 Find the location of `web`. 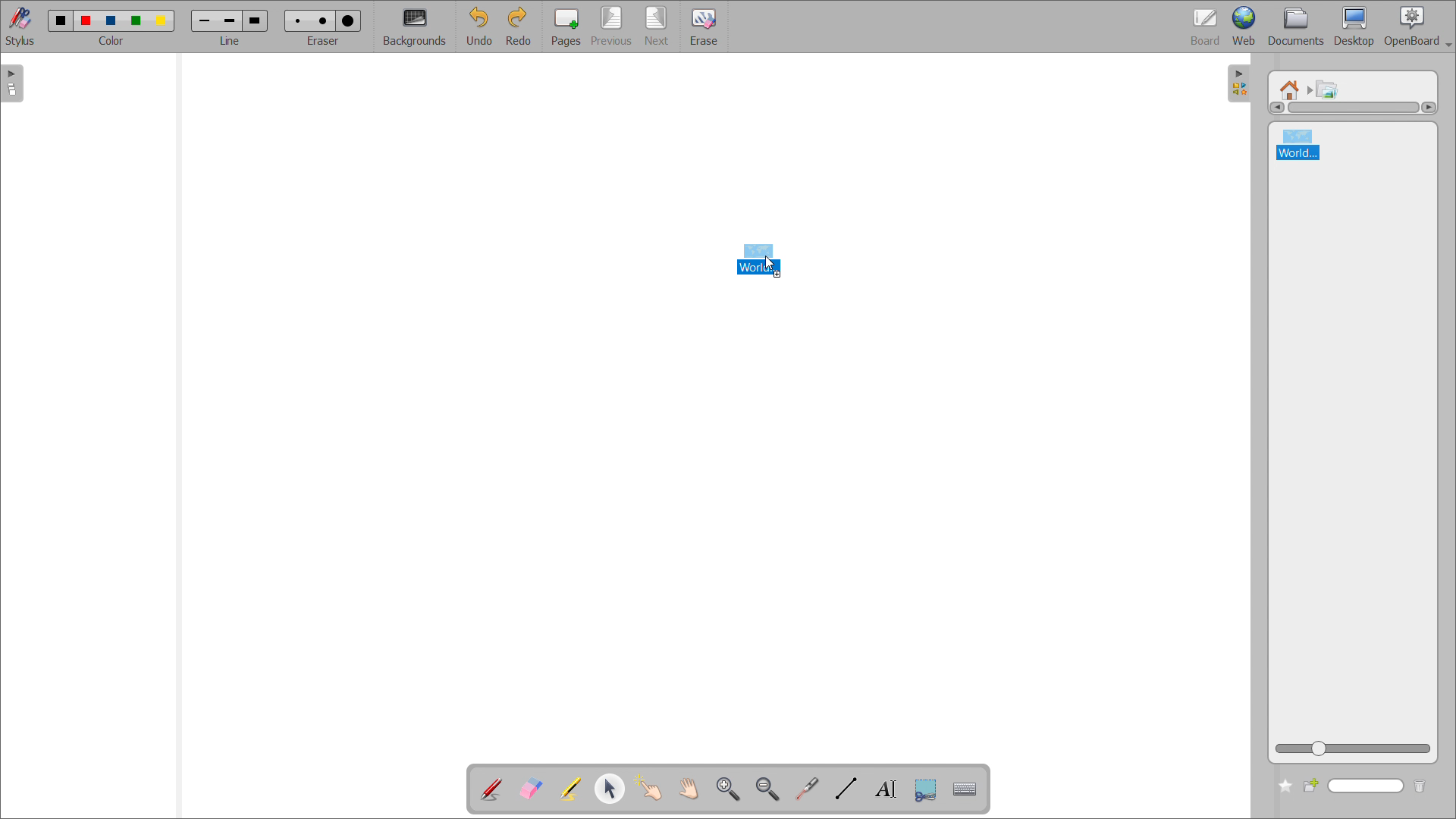

web is located at coordinates (1245, 27).